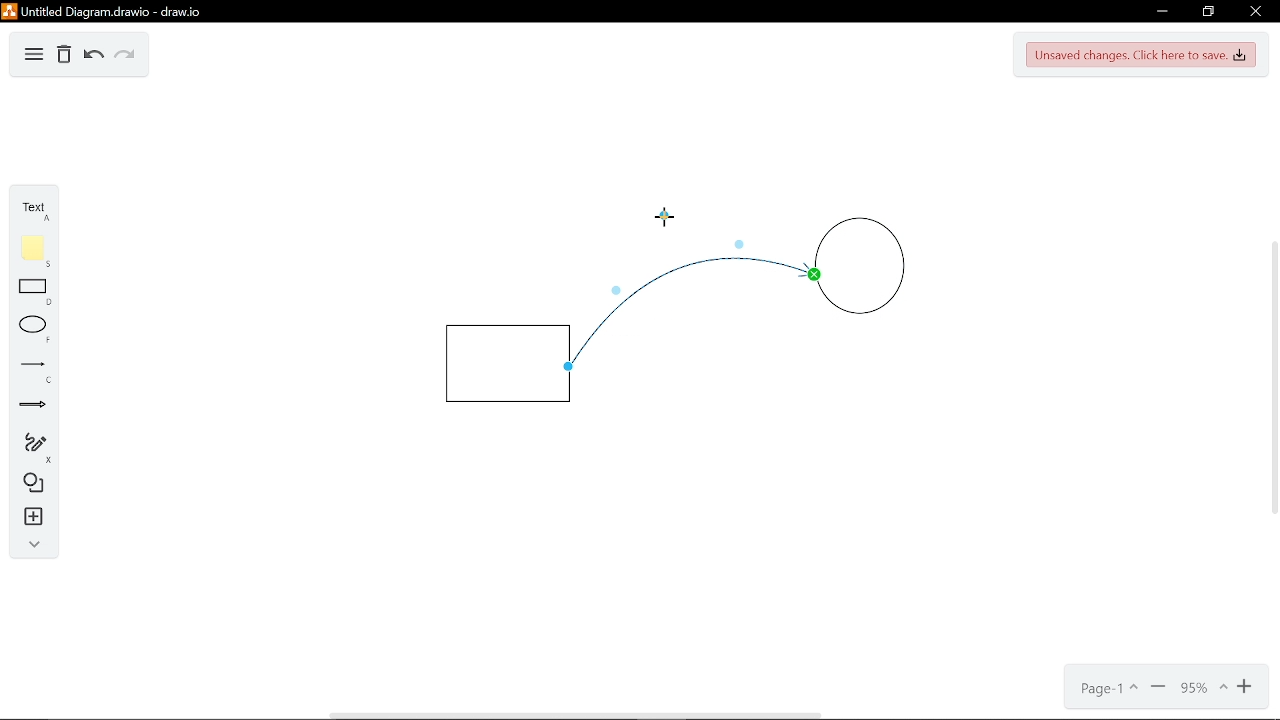 Image resolution: width=1280 pixels, height=720 pixels. I want to click on Delete, so click(64, 56).